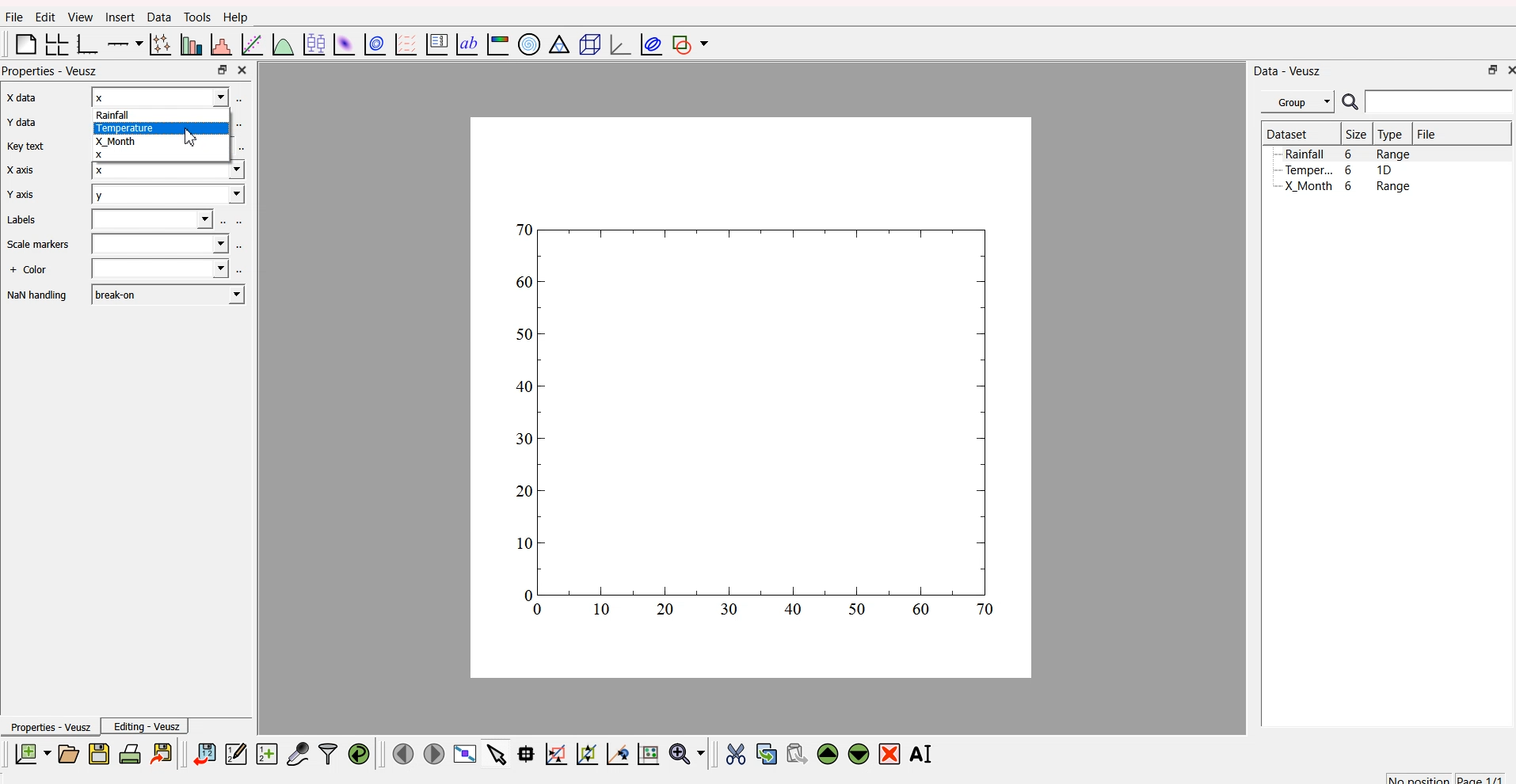 Image resolution: width=1516 pixels, height=784 pixels. What do you see at coordinates (1428, 134) in the screenshot?
I see `File` at bounding box center [1428, 134].